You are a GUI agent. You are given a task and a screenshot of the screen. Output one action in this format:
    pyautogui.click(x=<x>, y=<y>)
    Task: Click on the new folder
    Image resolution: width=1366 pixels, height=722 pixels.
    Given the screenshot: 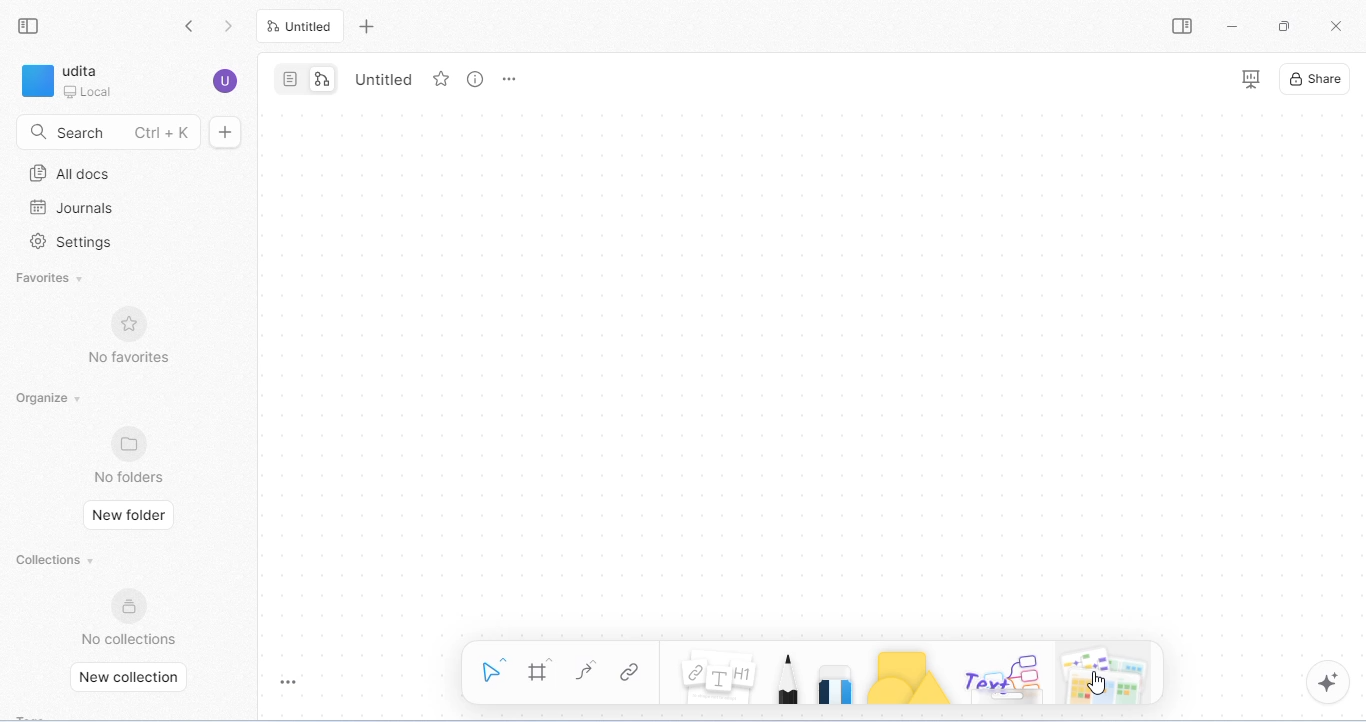 What is the action you would take?
    pyautogui.click(x=130, y=514)
    